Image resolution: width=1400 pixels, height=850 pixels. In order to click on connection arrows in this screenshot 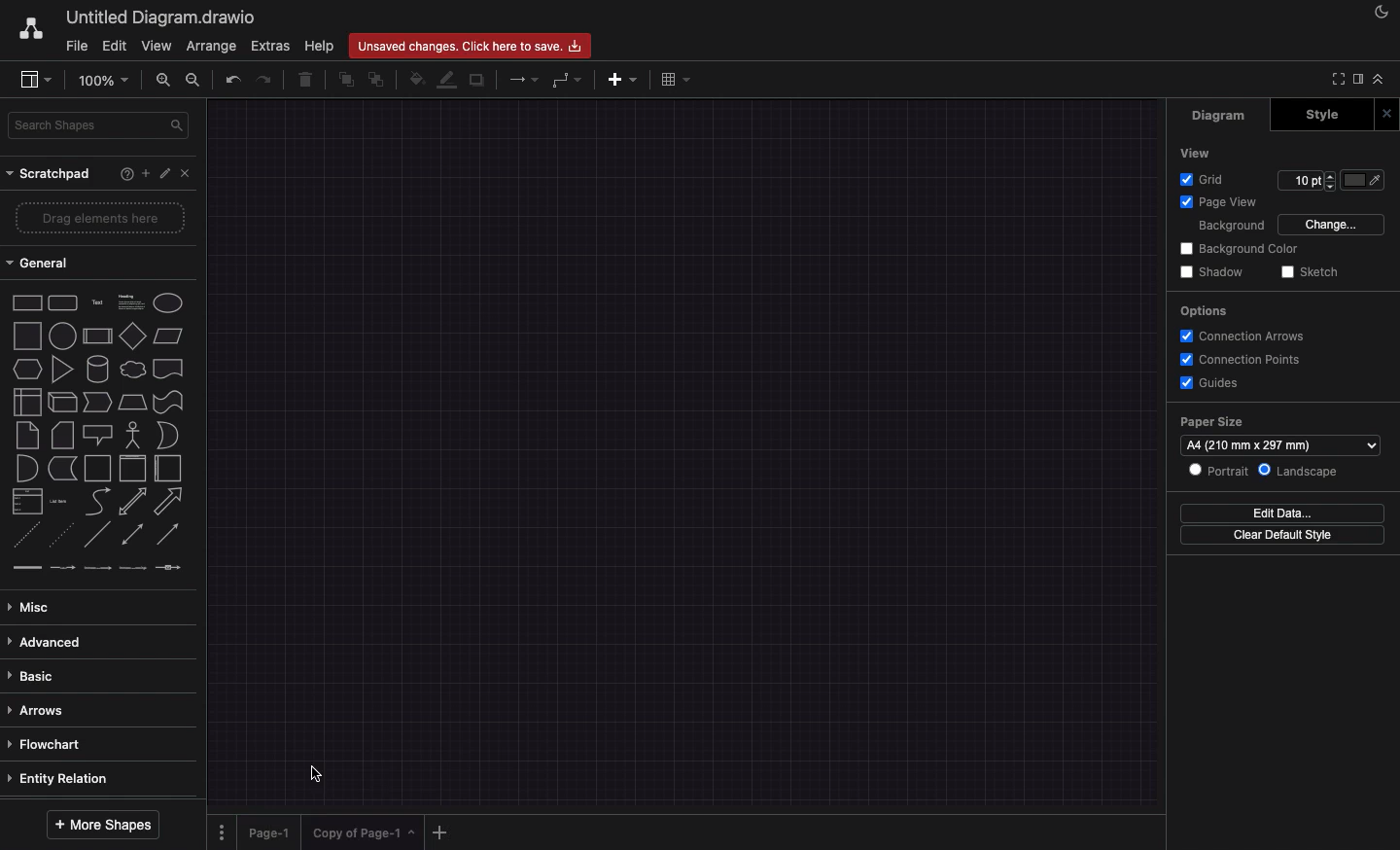, I will do `click(1244, 336)`.